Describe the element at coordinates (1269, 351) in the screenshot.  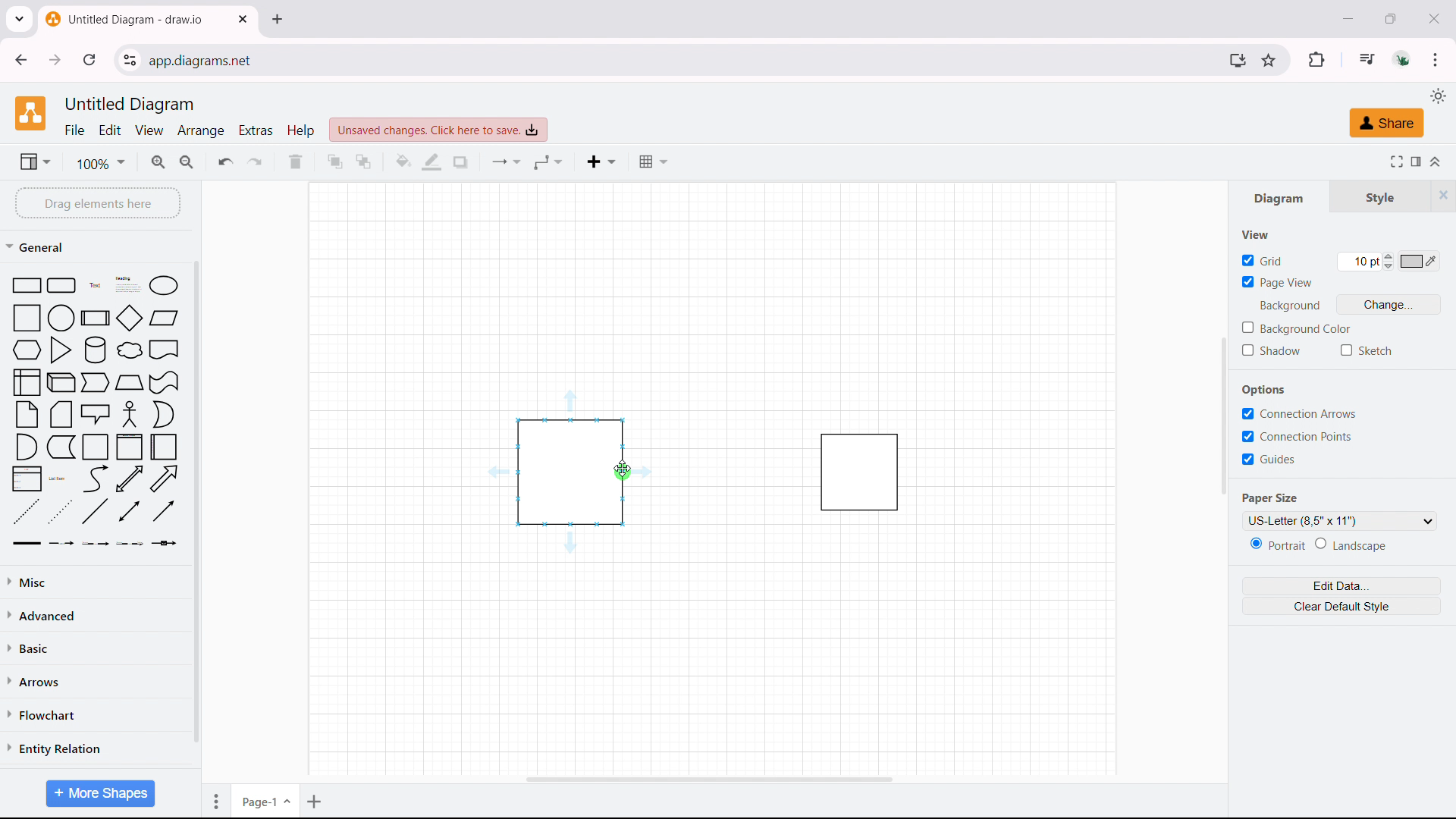
I see `shadow` at that location.